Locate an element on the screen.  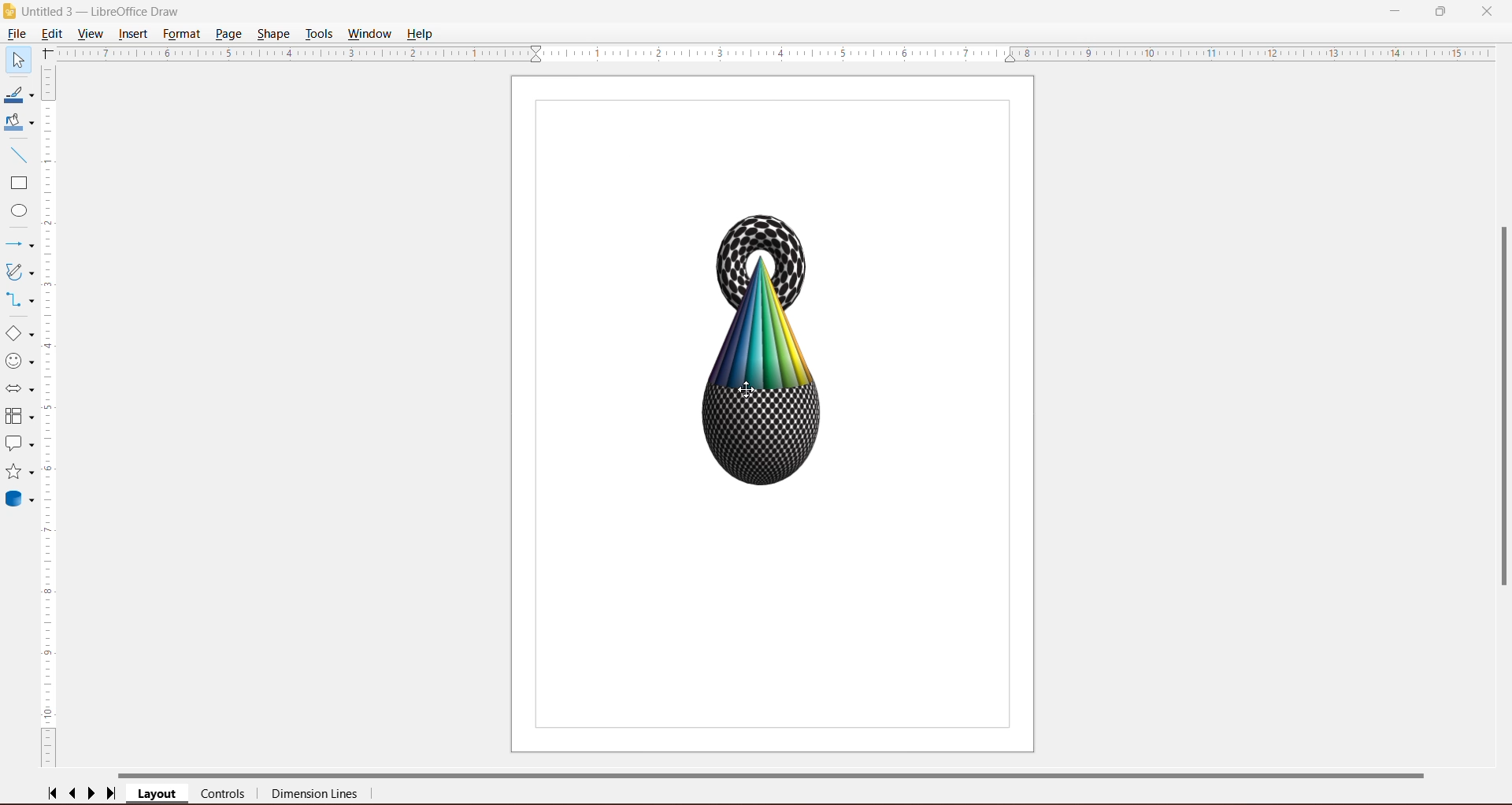
Close is located at coordinates (1490, 12).